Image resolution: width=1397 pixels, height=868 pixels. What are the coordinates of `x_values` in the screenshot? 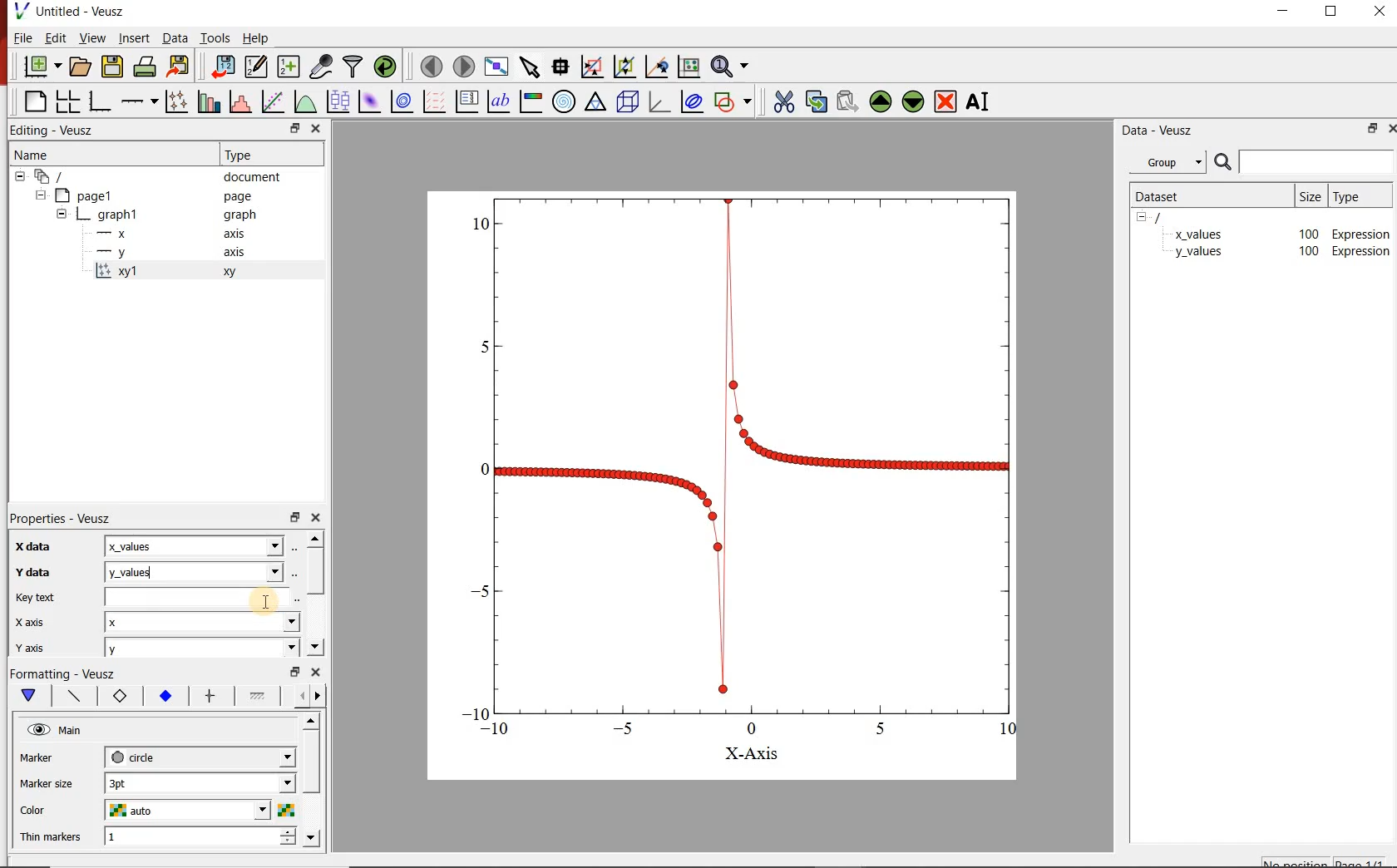 It's located at (1198, 233).